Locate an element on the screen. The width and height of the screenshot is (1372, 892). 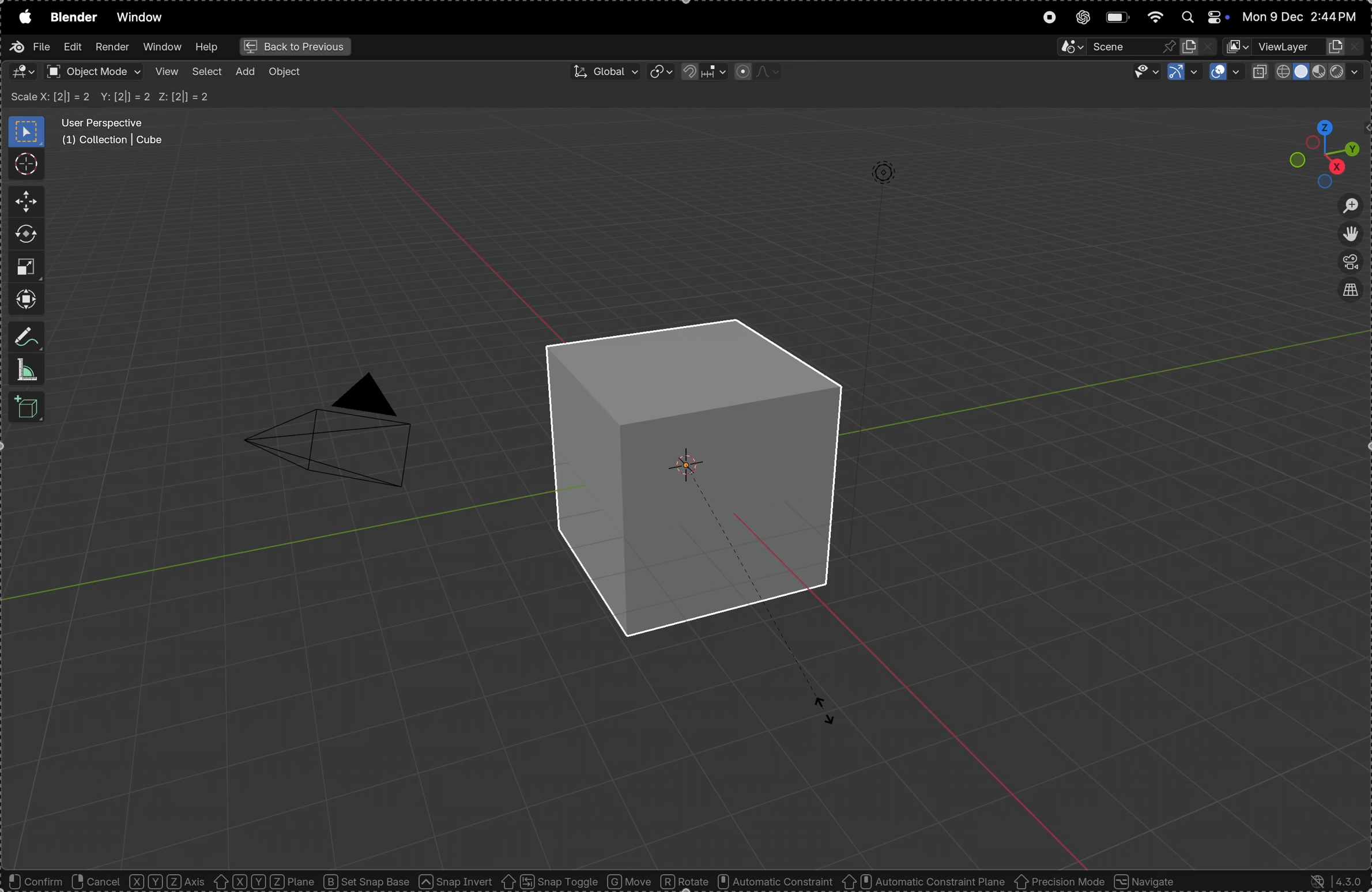
enlarged cube is located at coordinates (704, 474).